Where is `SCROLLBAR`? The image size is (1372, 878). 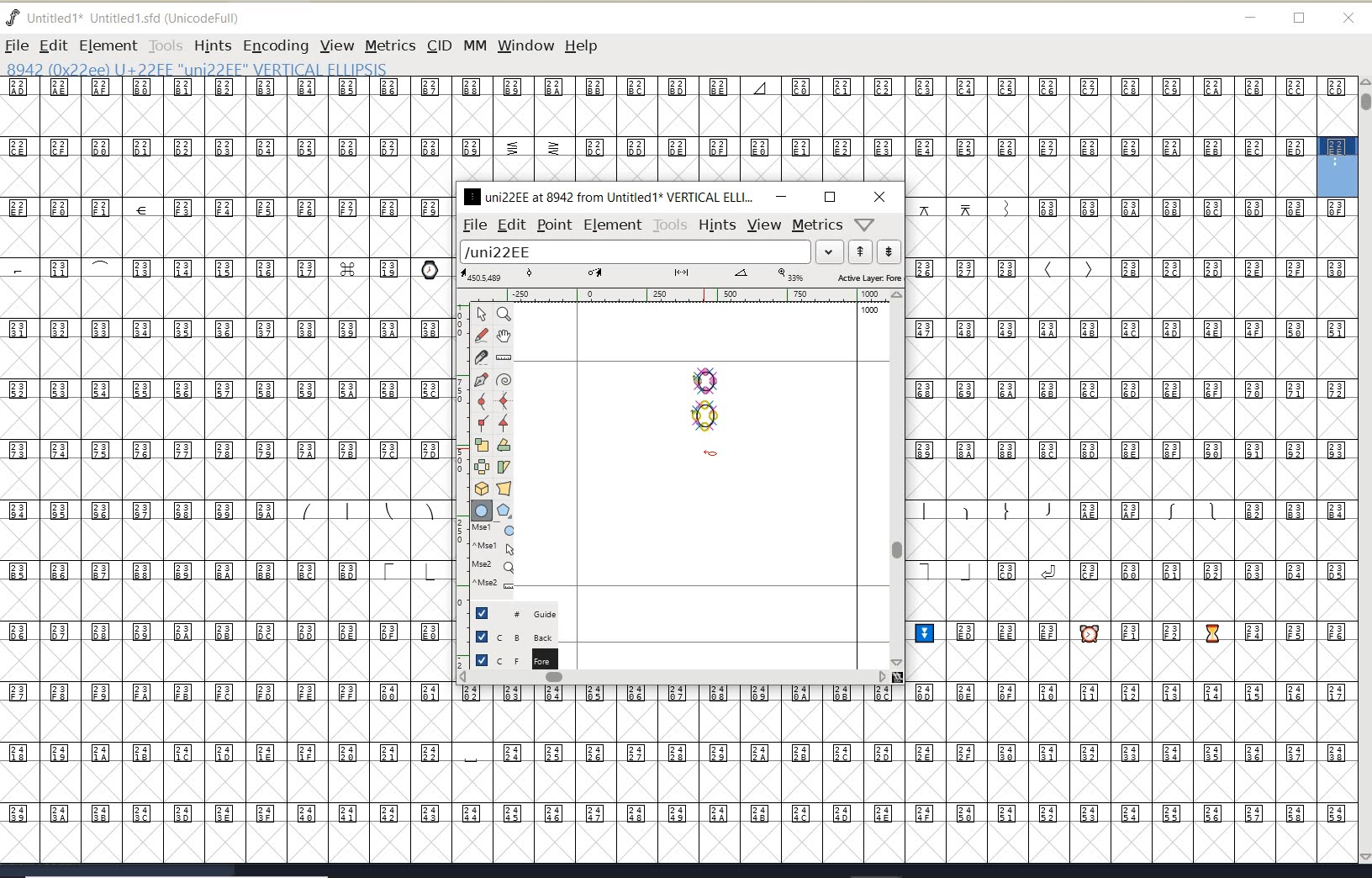
SCROLLBAR is located at coordinates (1364, 472).